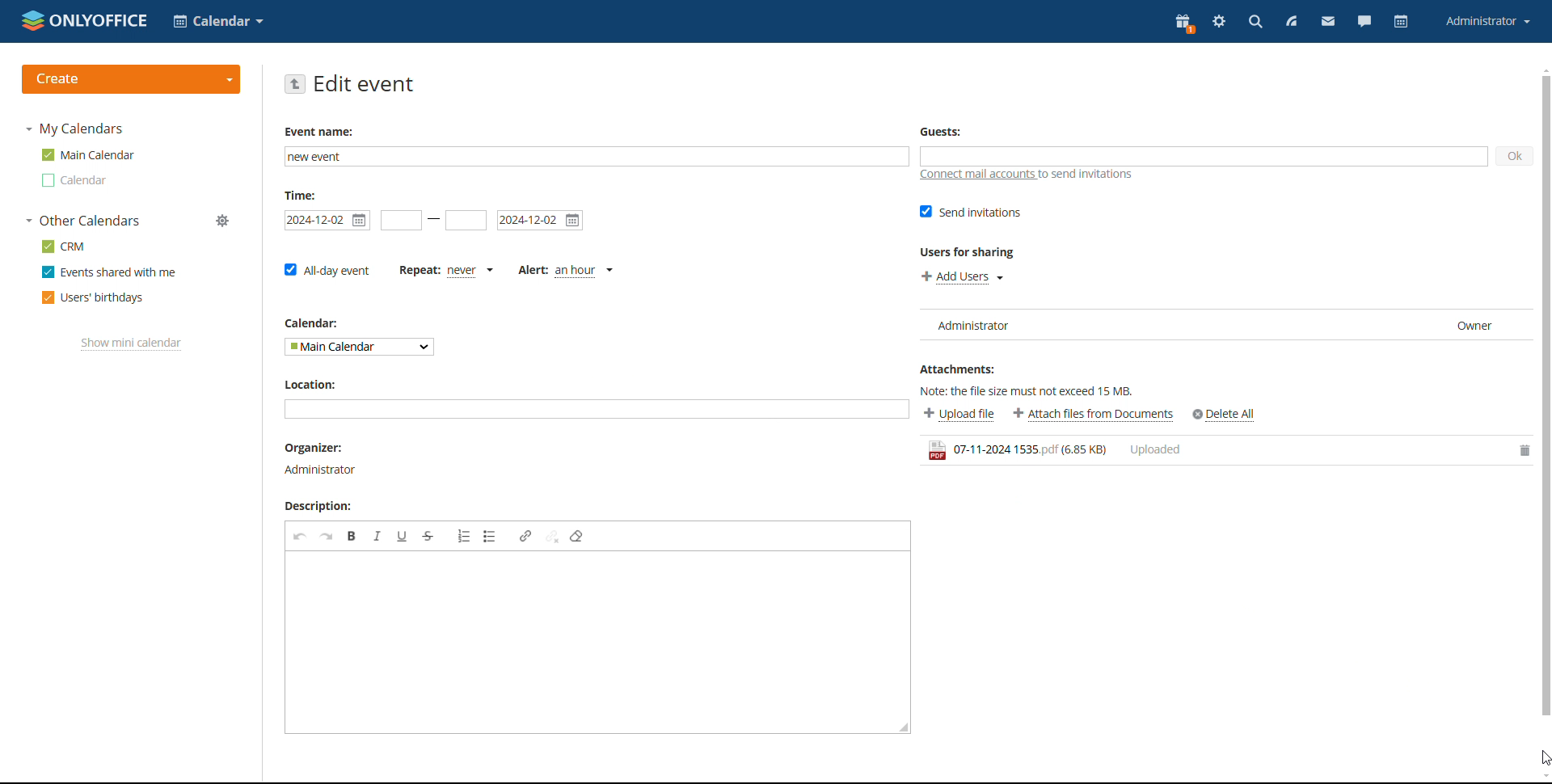  Describe the element at coordinates (304, 196) in the screenshot. I see `time:` at that location.